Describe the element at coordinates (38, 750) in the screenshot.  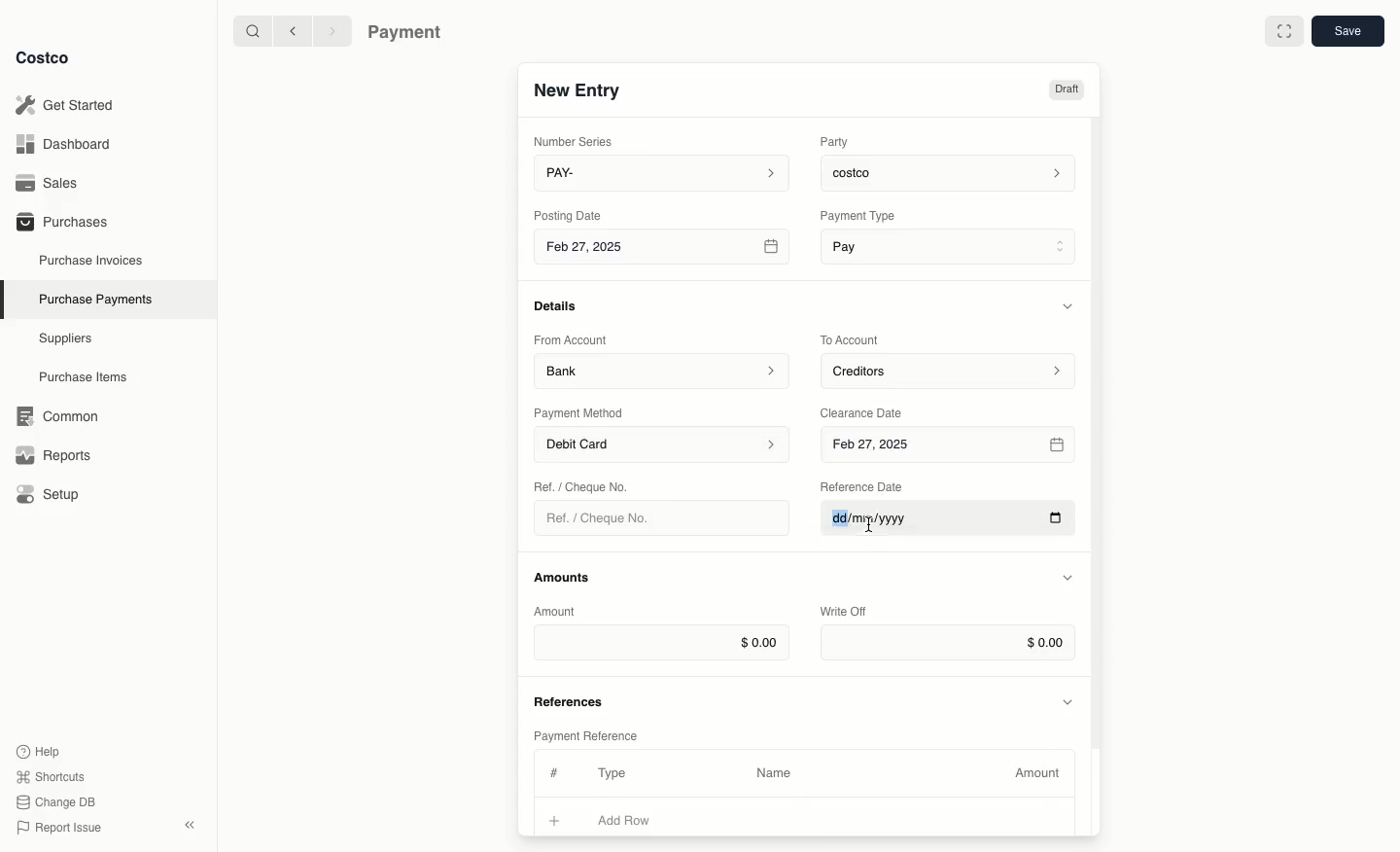
I see `Help` at that location.